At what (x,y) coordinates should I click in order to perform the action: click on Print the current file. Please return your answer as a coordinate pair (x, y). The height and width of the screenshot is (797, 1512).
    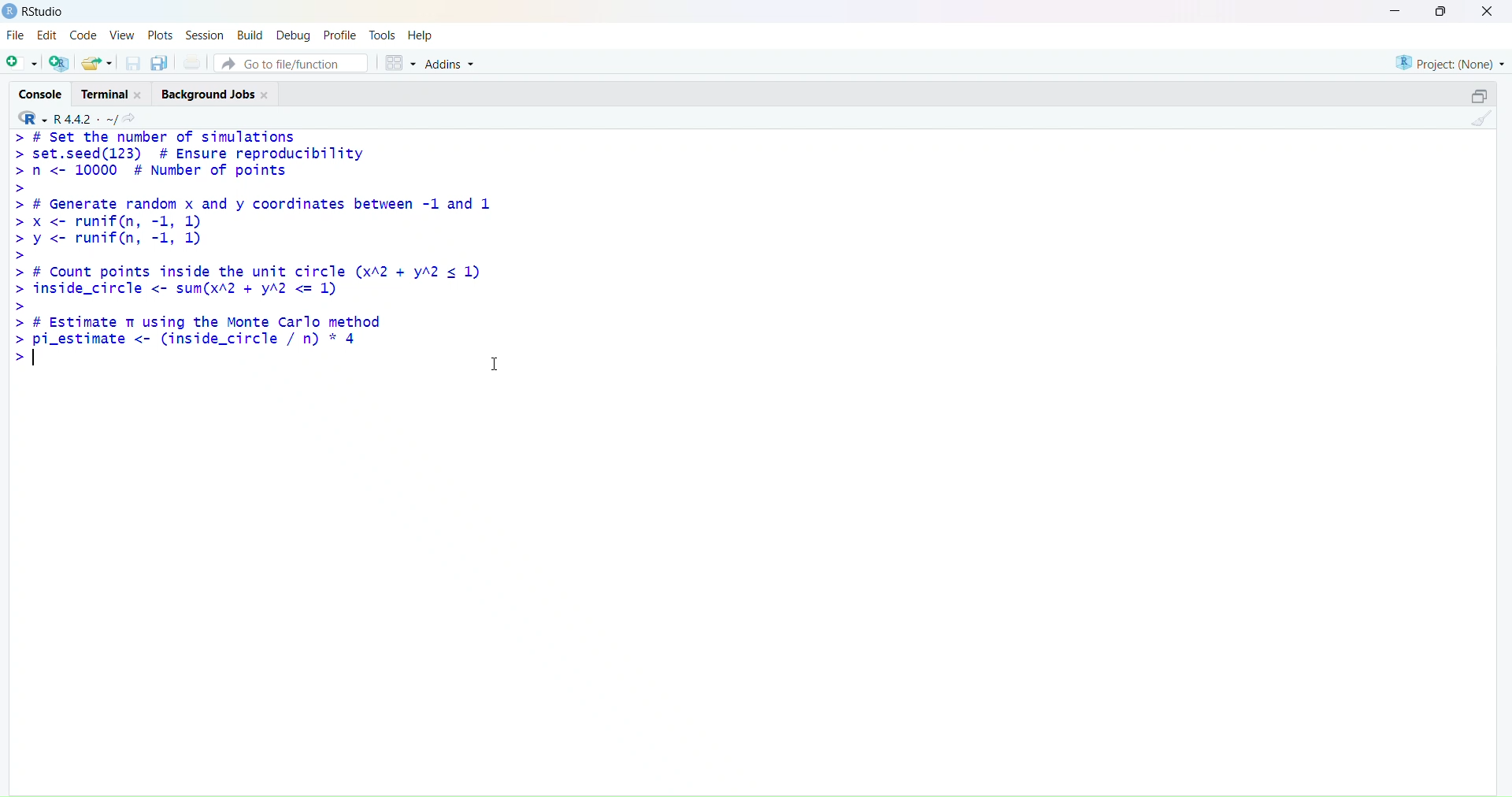
    Looking at the image, I should click on (195, 60).